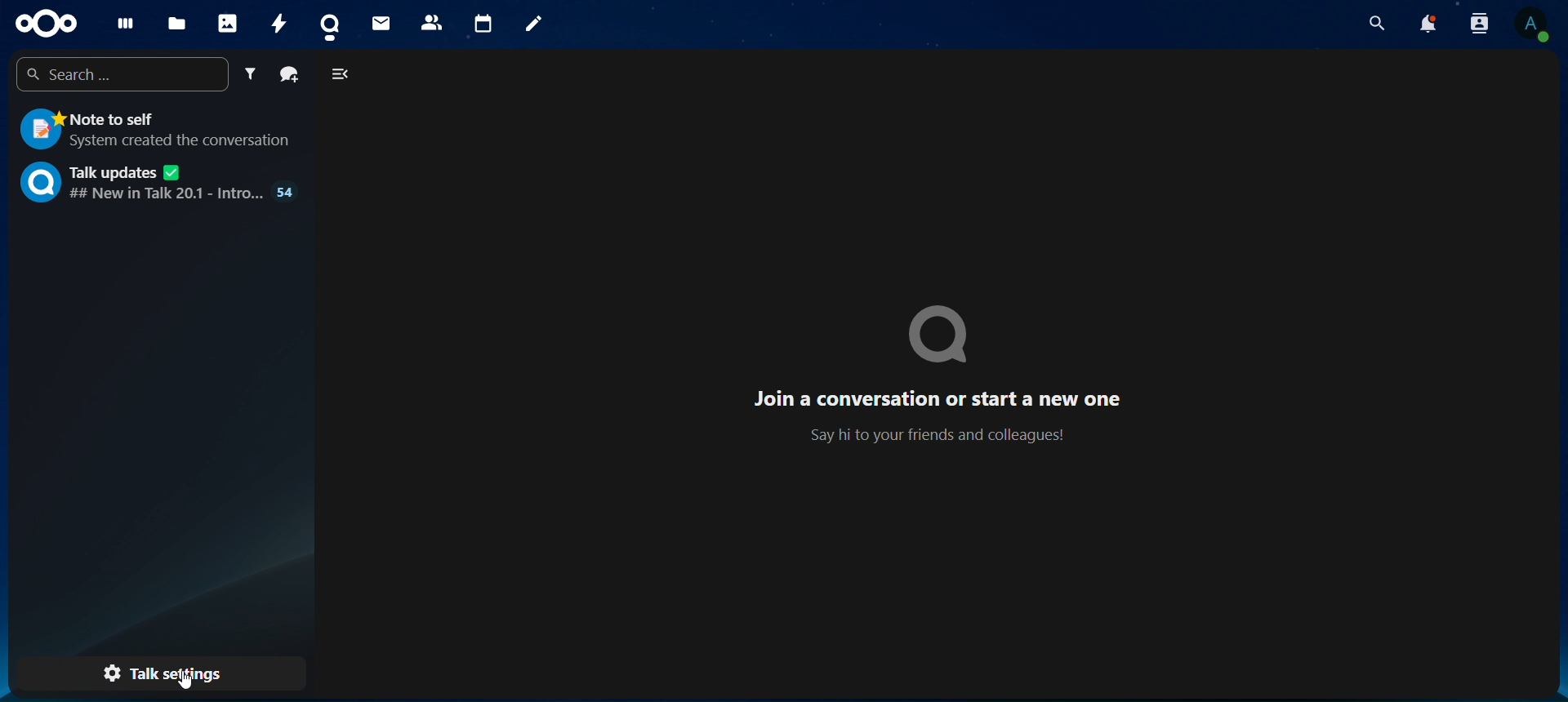 The image size is (1568, 702). Describe the element at coordinates (176, 24) in the screenshot. I see `files` at that location.